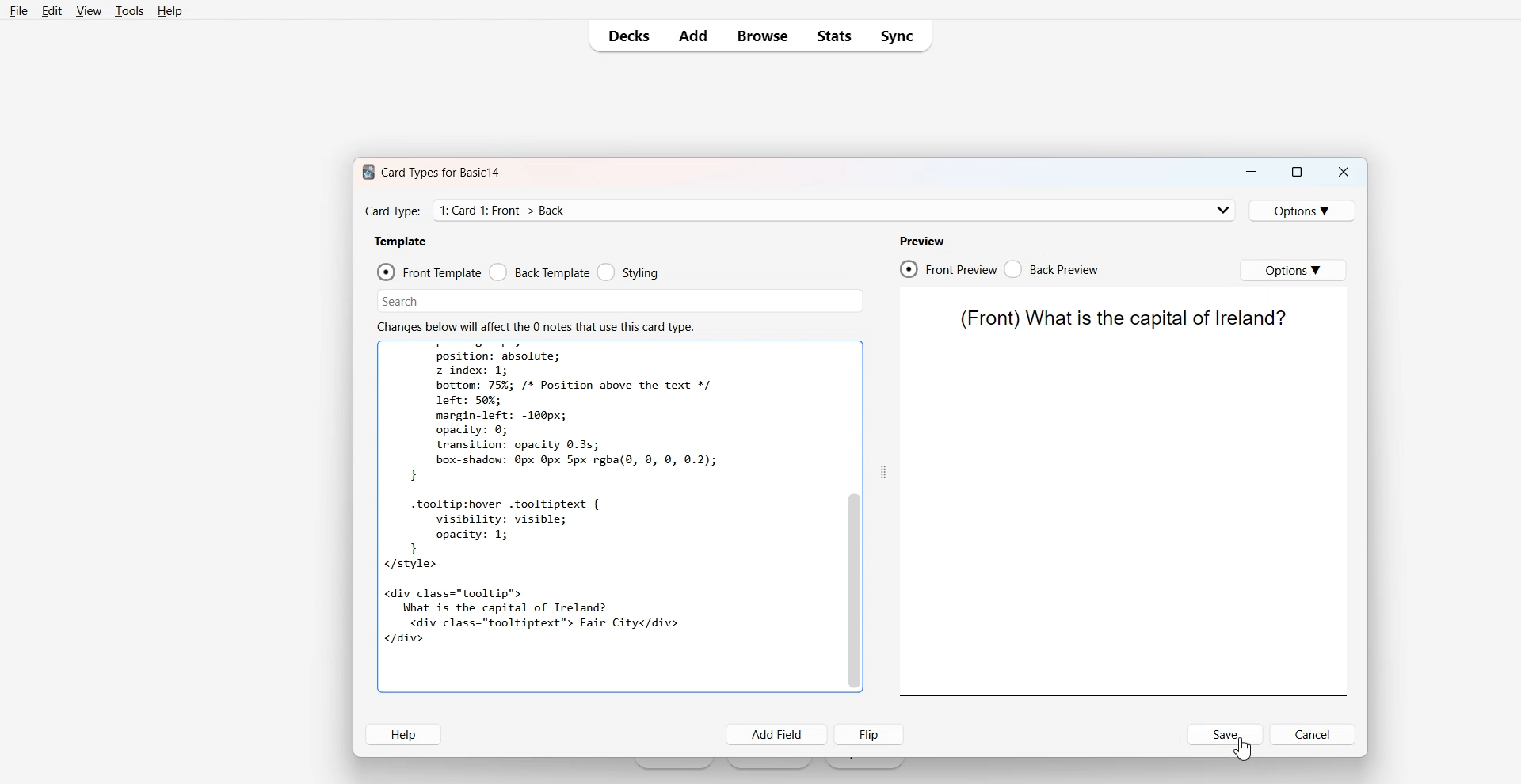  I want to click on Text 2, so click(536, 326).